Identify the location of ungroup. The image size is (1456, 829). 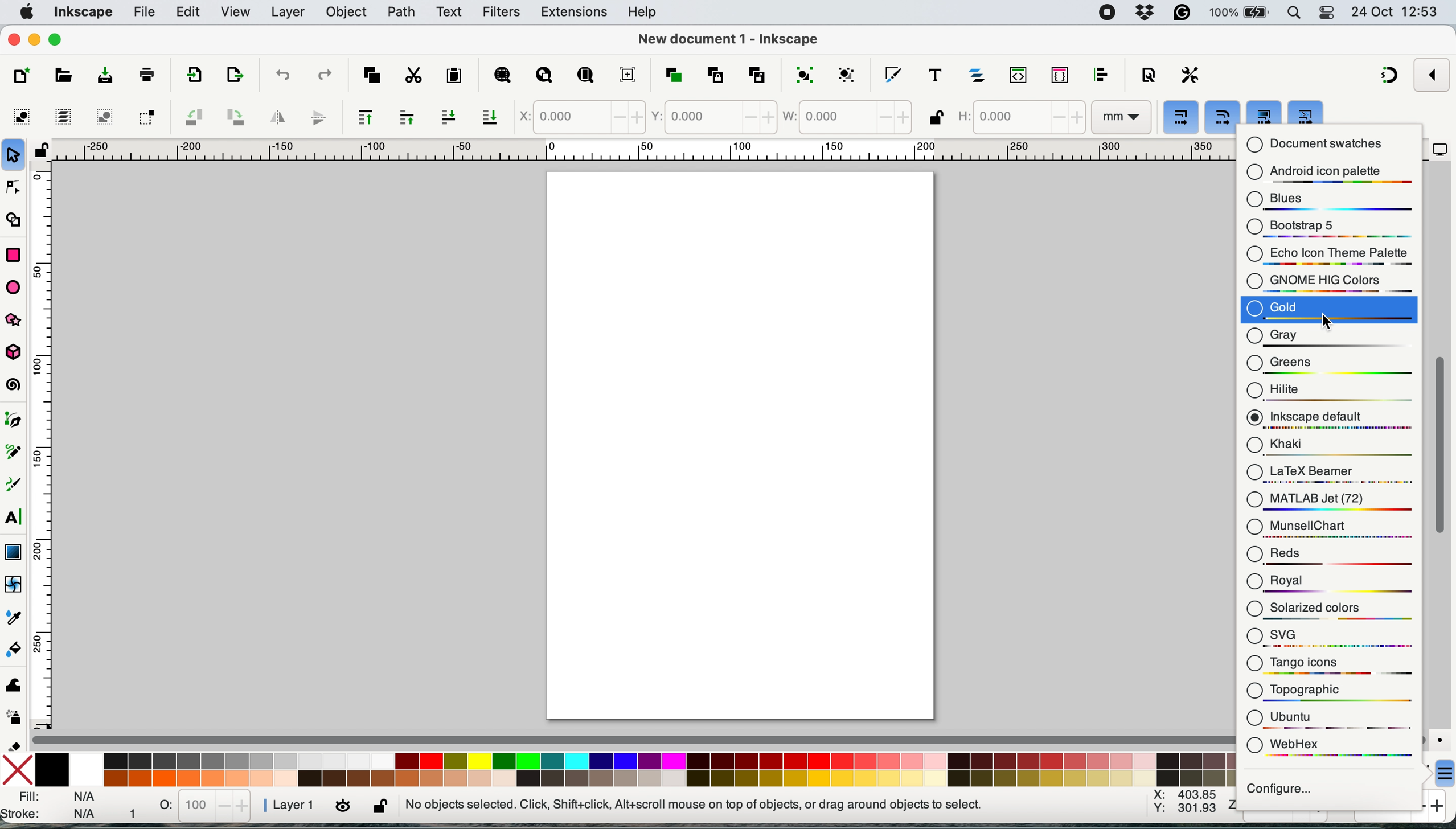
(850, 72).